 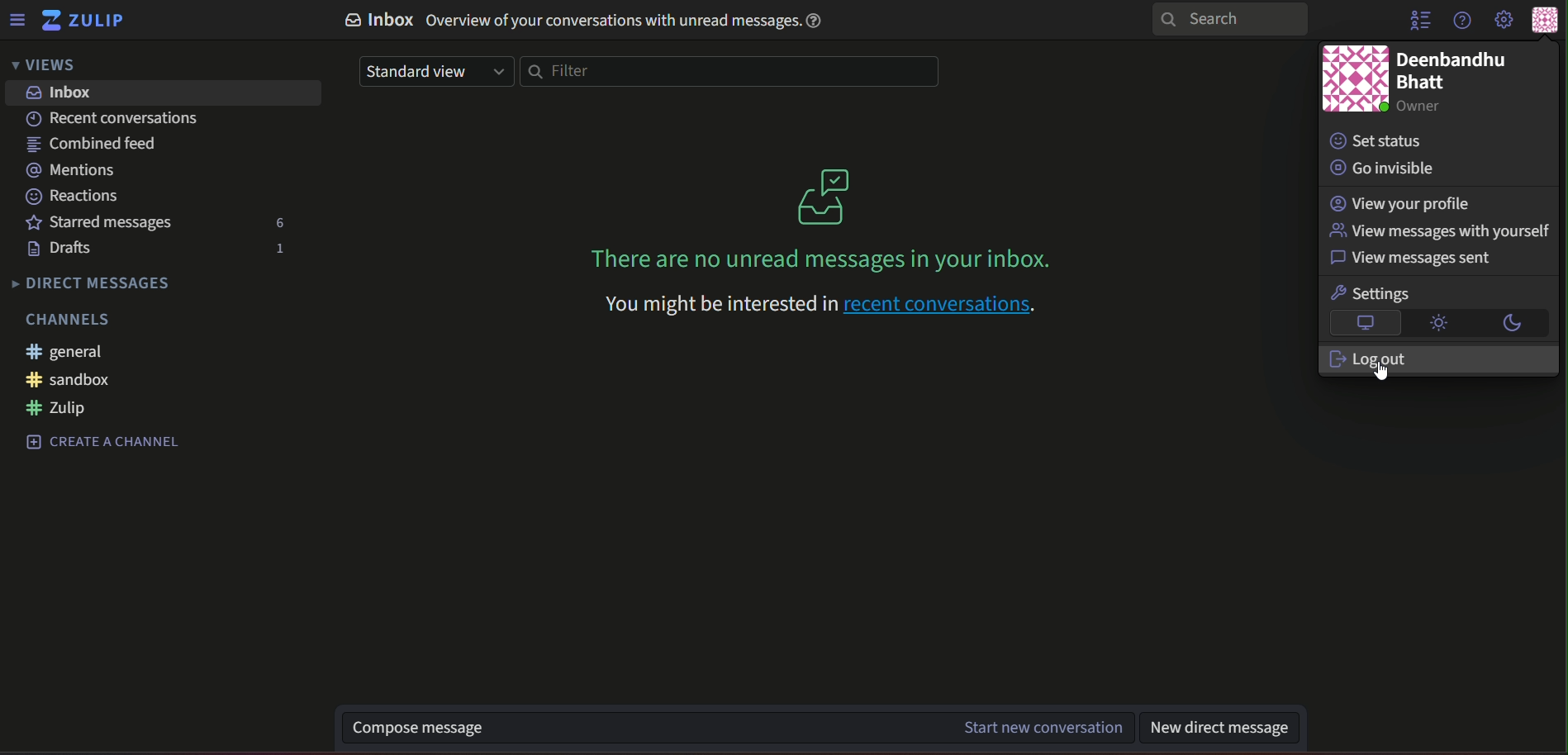 What do you see at coordinates (284, 249) in the screenshot?
I see `number` at bounding box center [284, 249].